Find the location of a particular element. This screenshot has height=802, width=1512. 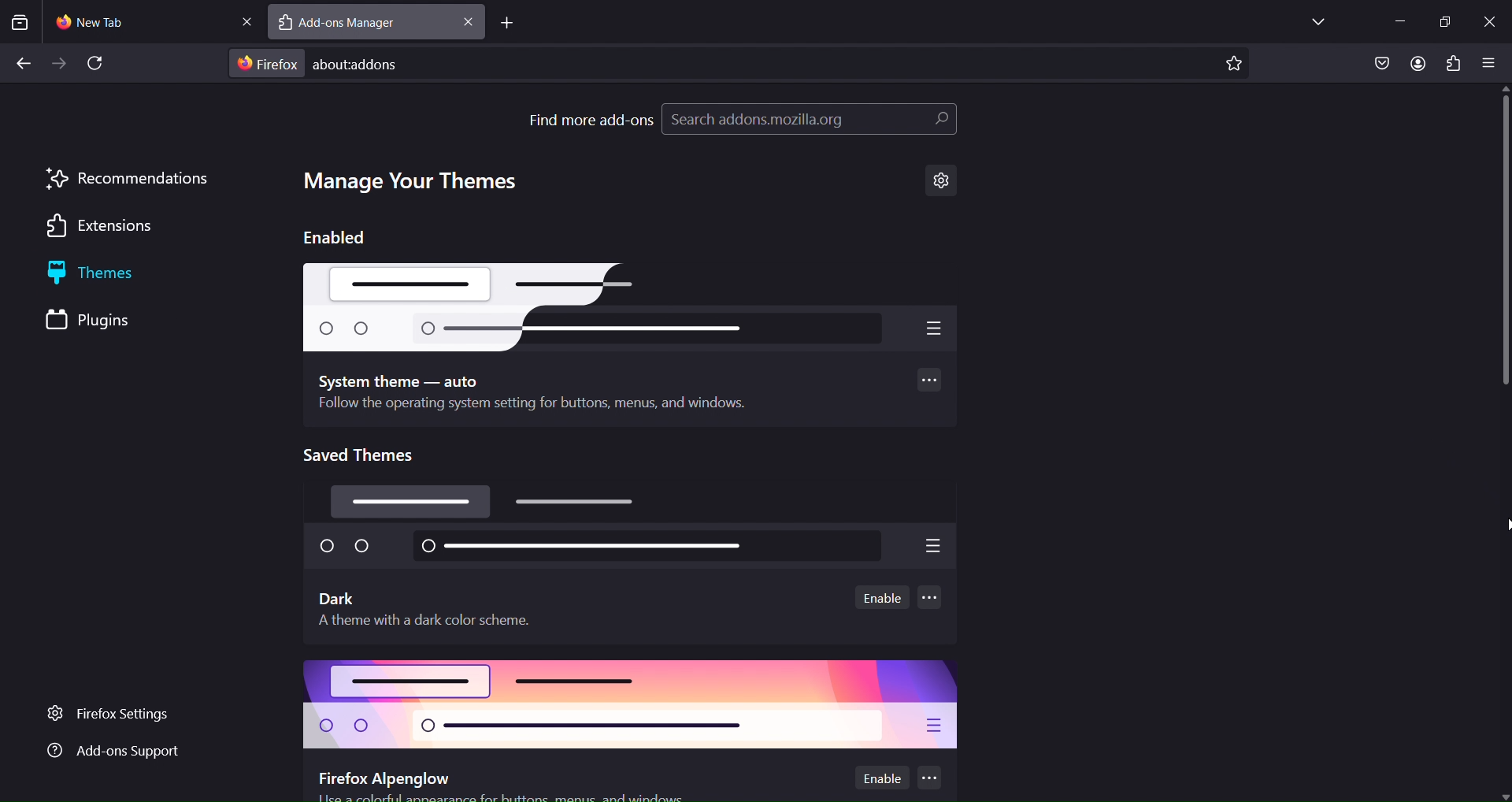

themes is located at coordinates (112, 275).